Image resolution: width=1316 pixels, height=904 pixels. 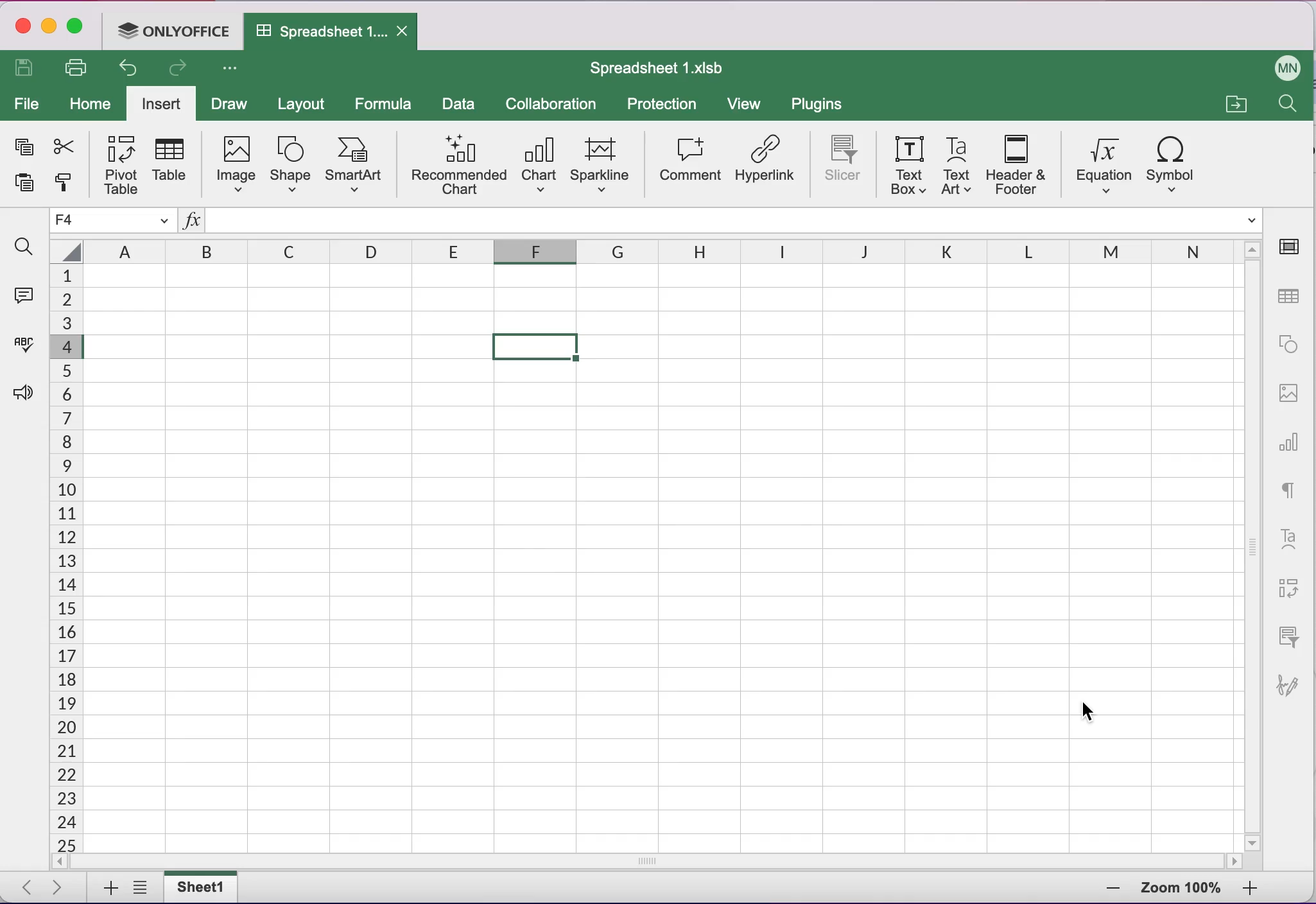 What do you see at coordinates (1181, 888) in the screenshot?
I see `zoom percentage` at bounding box center [1181, 888].